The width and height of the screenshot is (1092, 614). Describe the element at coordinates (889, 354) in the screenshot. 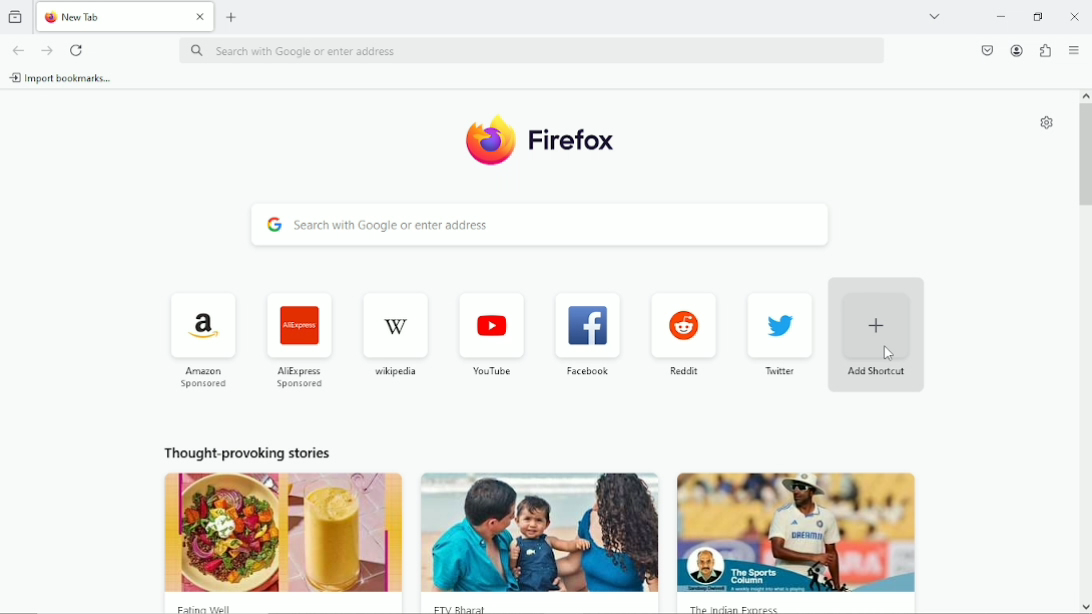

I see `Cursor Position` at that location.